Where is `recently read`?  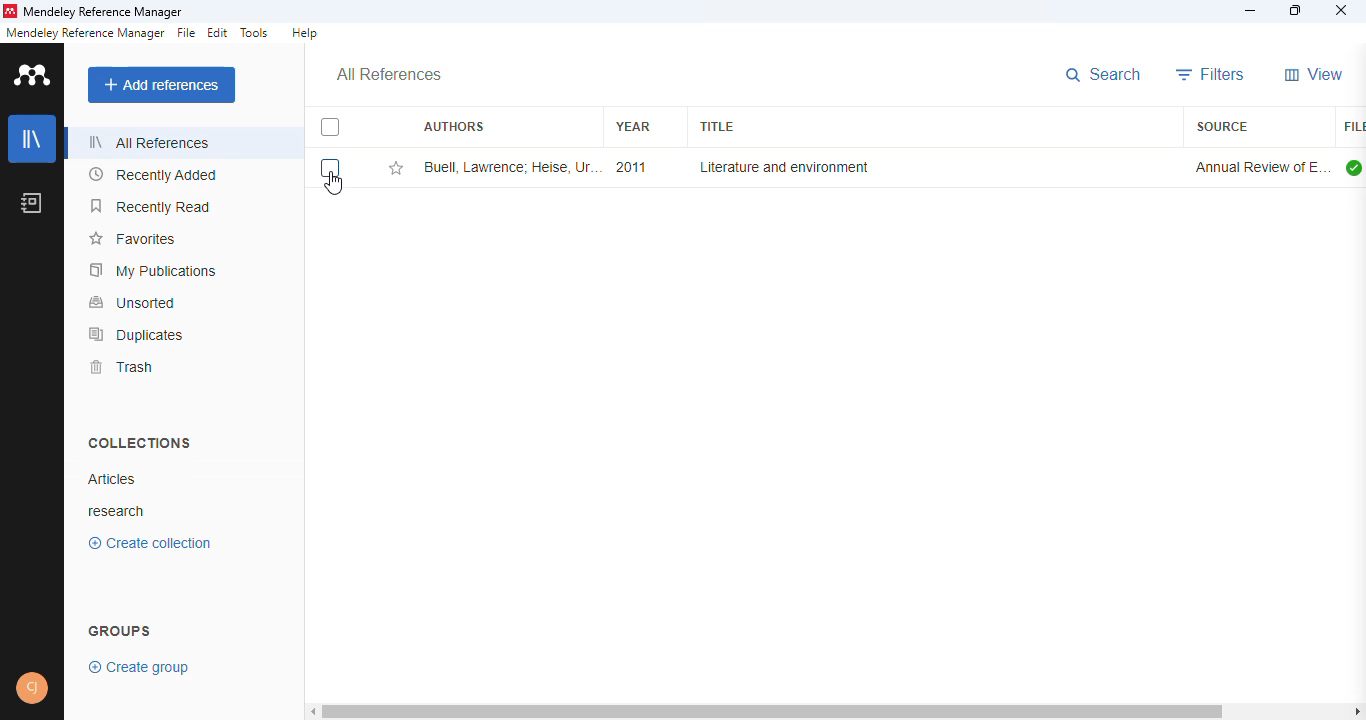
recently read is located at coordinates (150, 206).